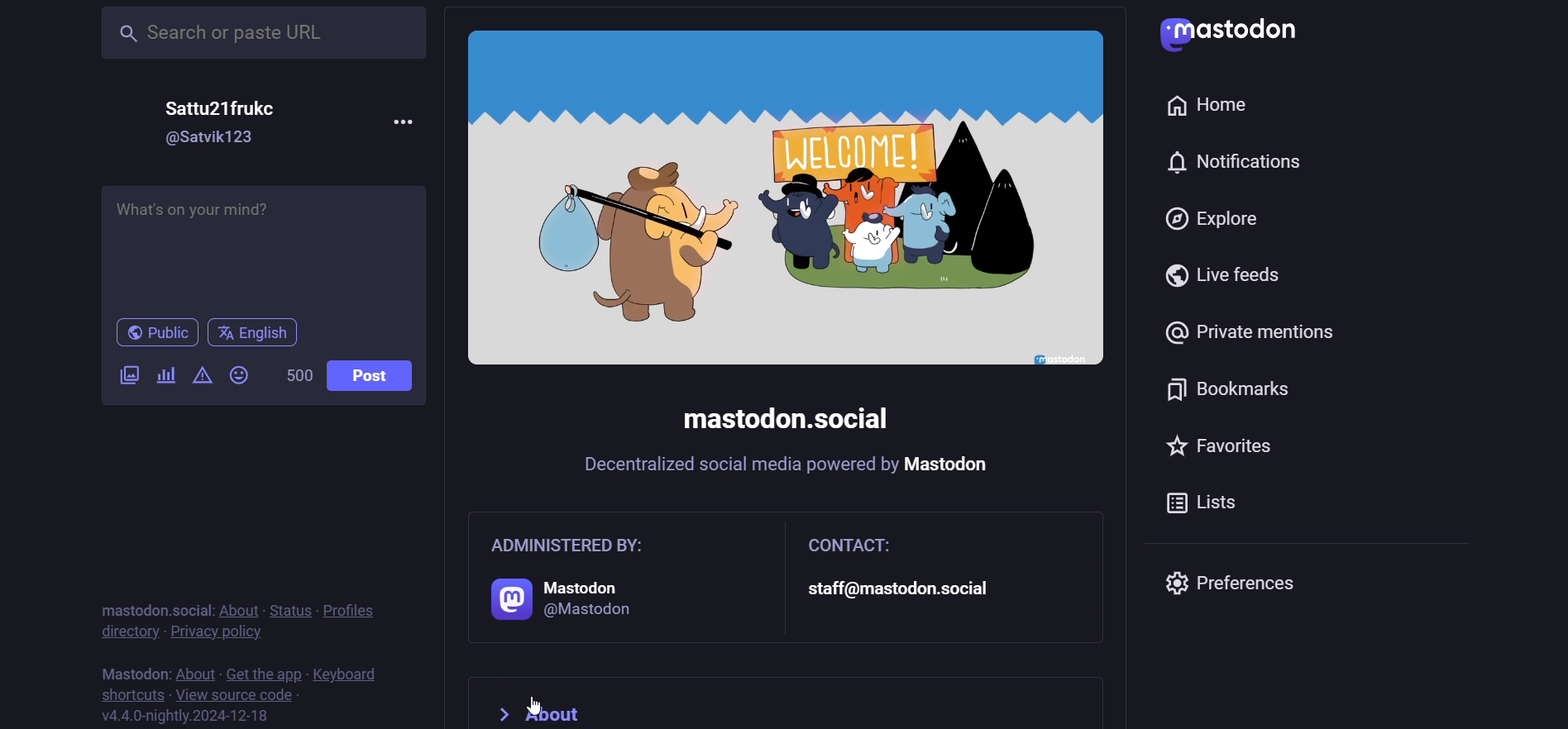  What do you see at coordinates (218, 631) in the screenshot?
I see `privacy policy` at bounding box center [218, 631].